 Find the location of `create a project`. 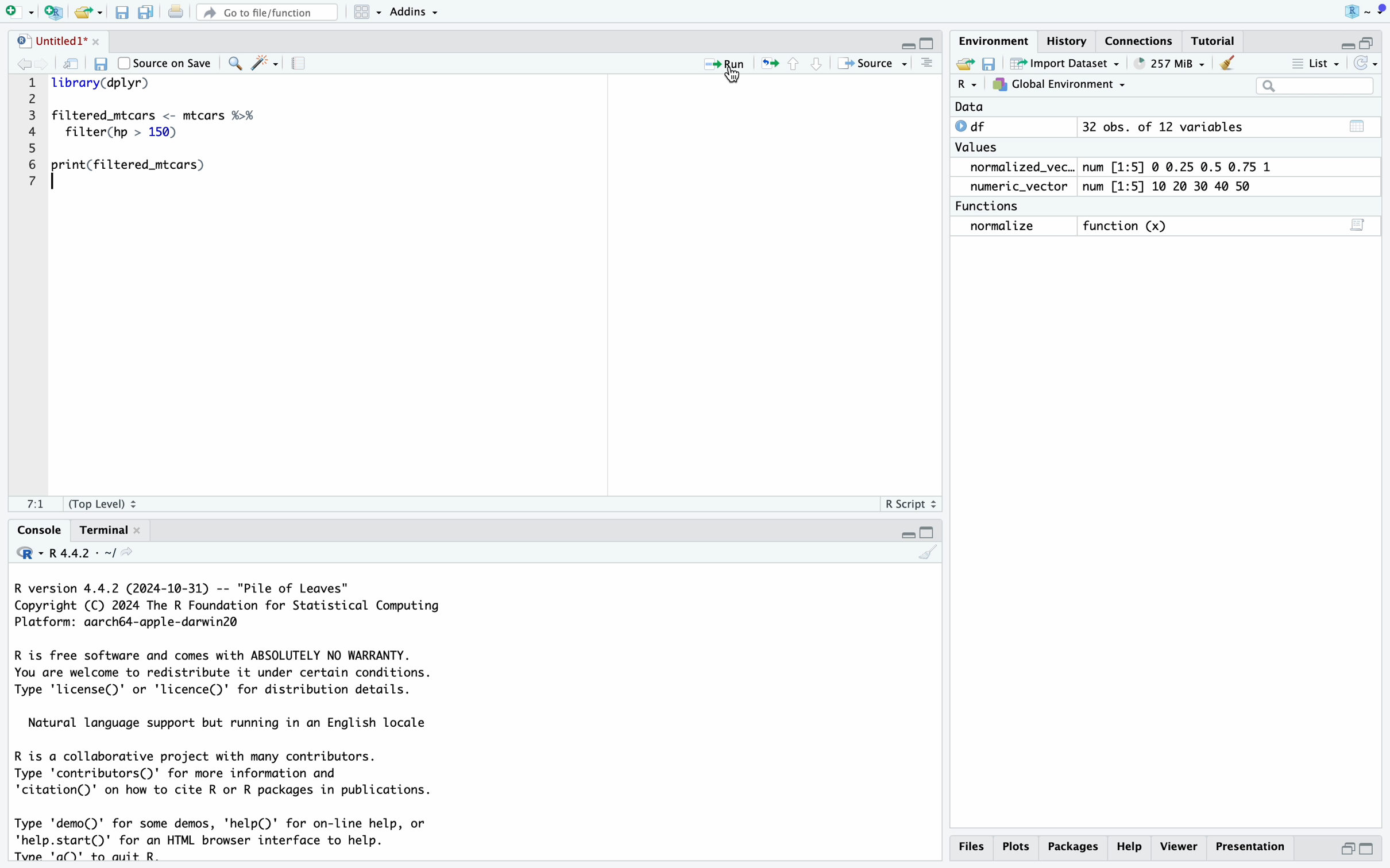

create a project is located at coordinates (53, 13).